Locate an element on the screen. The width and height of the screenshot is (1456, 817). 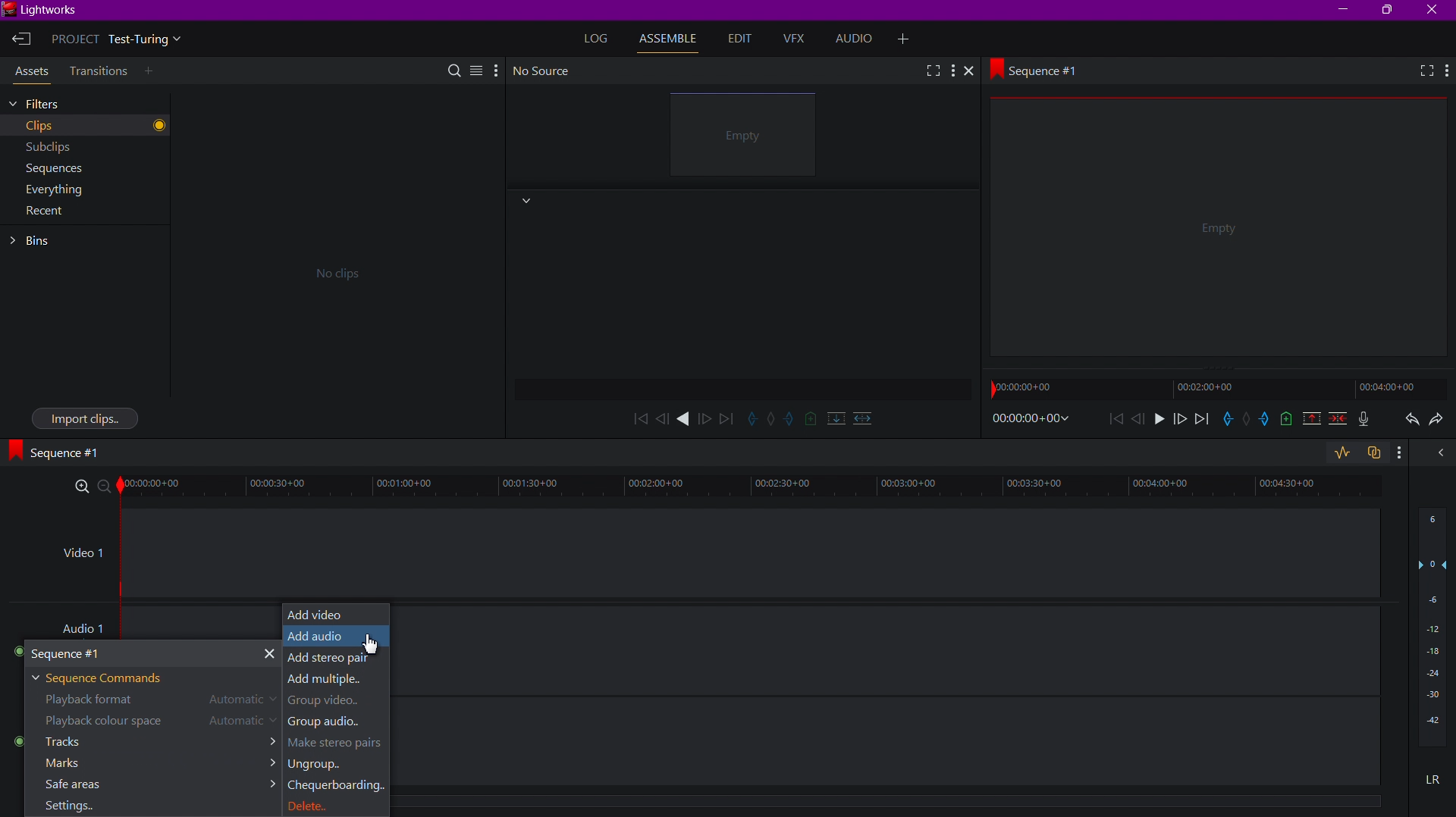
Undo is located at coordinates (1408, 421).